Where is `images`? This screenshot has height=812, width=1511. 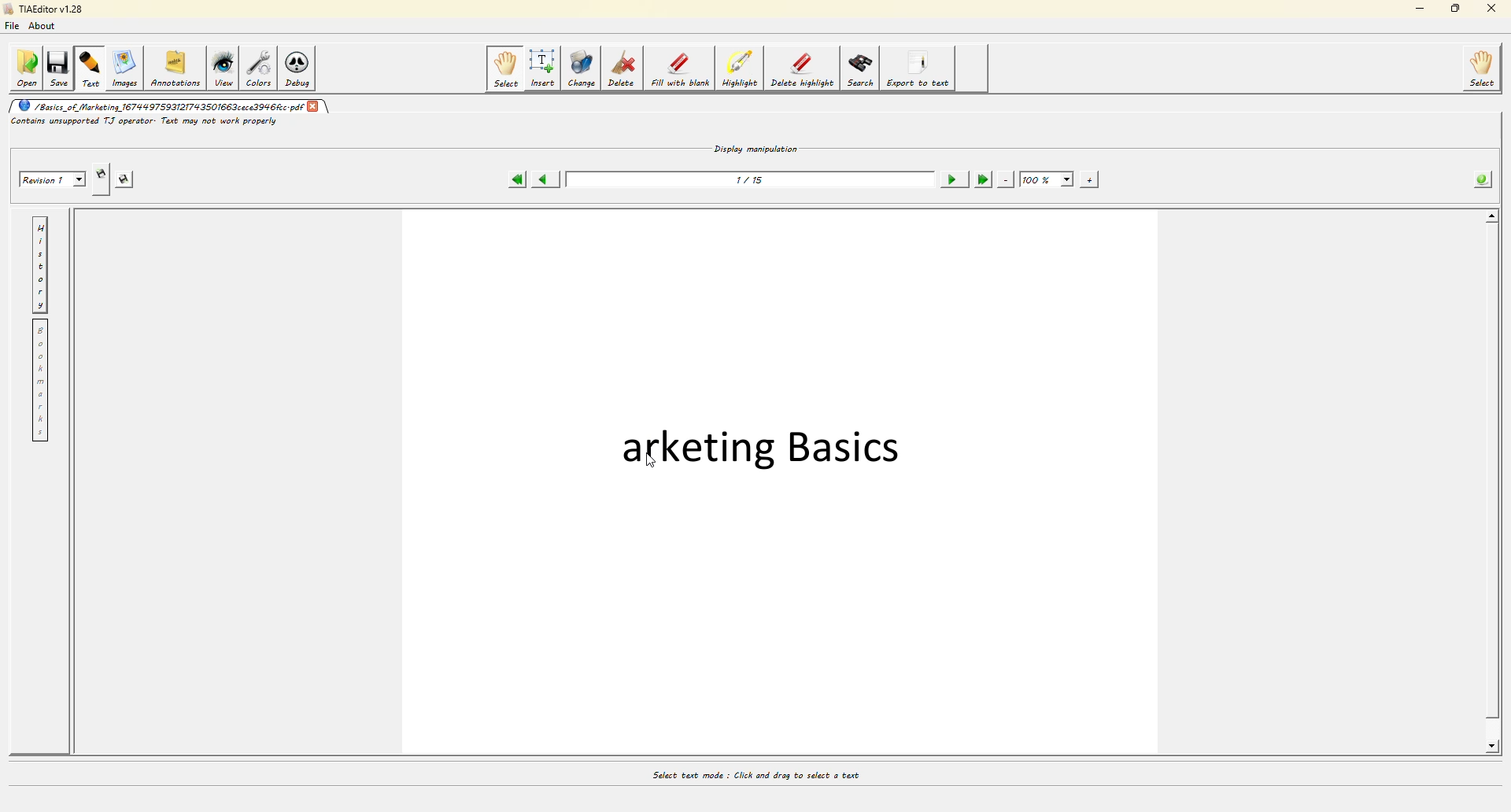 images is located at coordinates (124, 68).